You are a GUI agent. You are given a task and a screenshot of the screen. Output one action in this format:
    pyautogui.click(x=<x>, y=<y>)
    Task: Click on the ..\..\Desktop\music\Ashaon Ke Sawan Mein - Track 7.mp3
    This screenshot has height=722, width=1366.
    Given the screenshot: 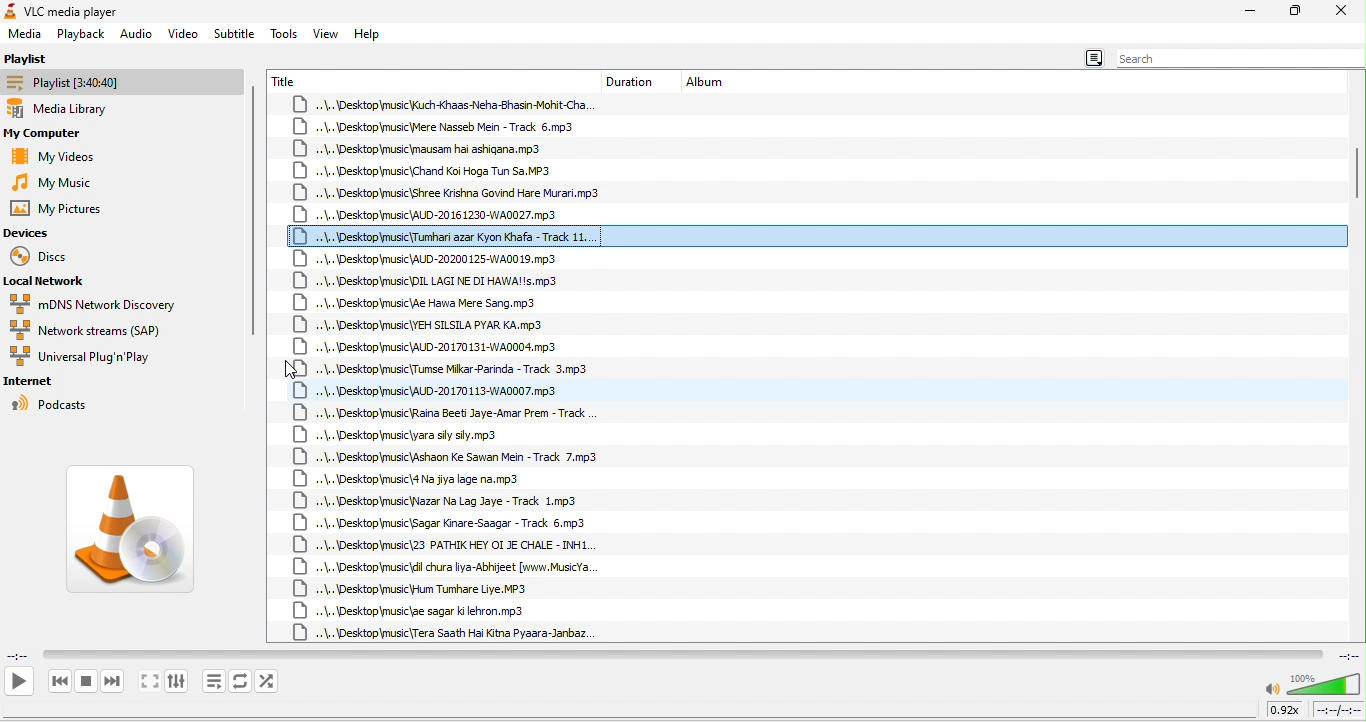 What is the action you would take?
    pyautogui.click(x=451, y=457)
    